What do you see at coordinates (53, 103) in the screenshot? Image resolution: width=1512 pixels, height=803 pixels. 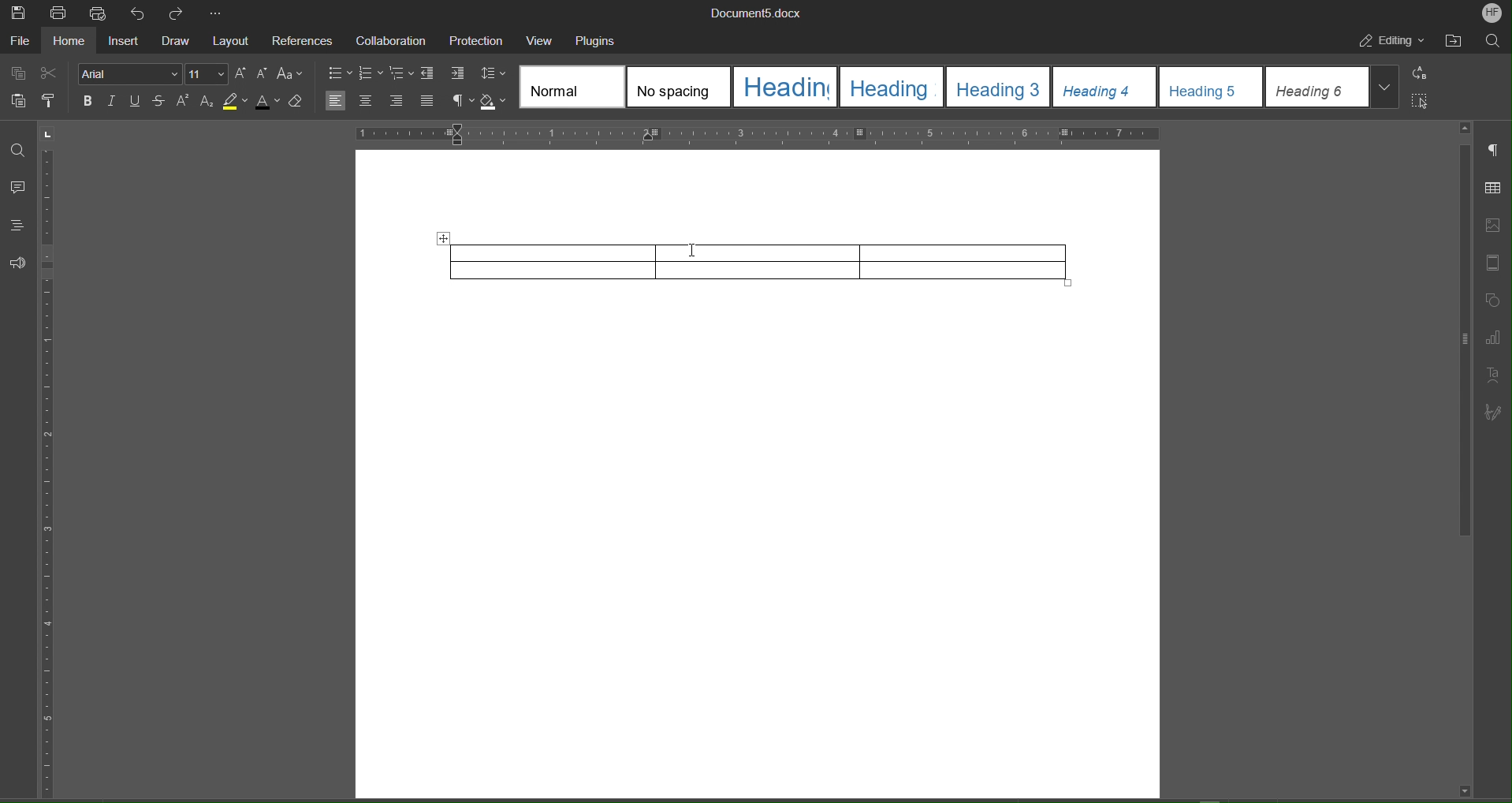 I see `Copy Style` at bounding box center [53, 103].